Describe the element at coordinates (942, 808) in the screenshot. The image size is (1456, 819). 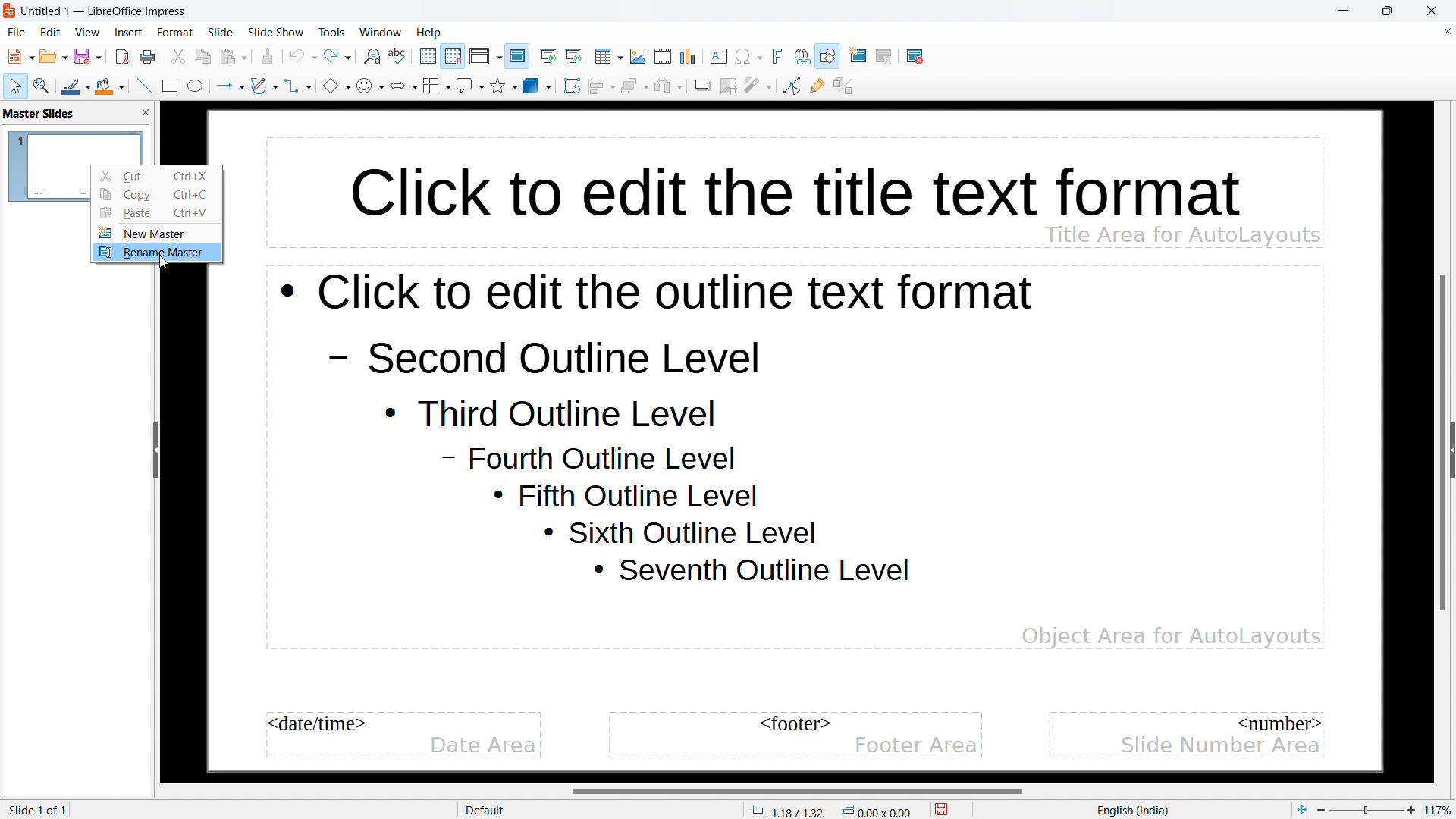
I see `save` at that location.